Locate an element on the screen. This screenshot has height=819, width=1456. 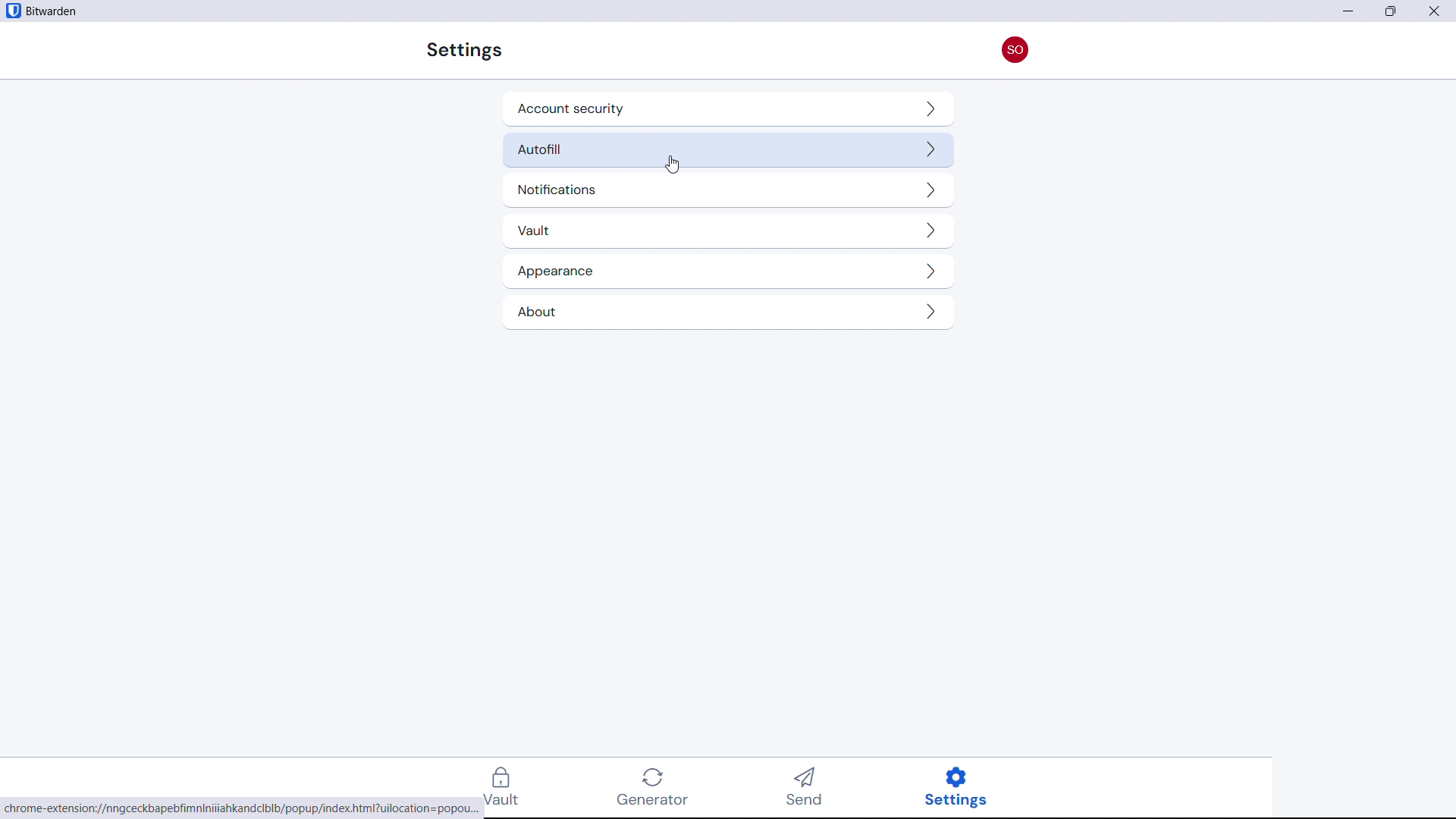
Appearance  is located at coordinates (726, 272).